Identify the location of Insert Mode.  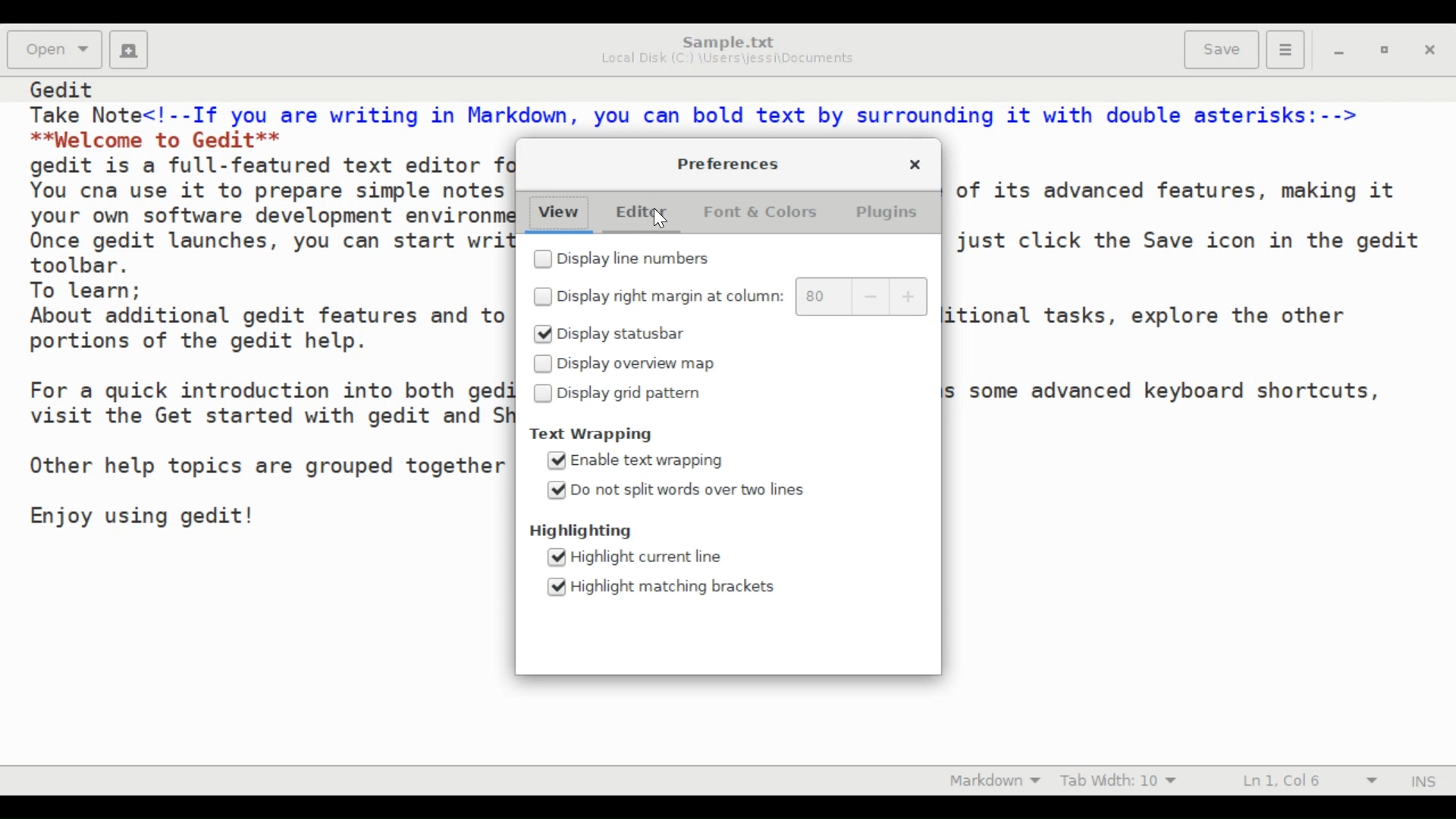
(1422, 780).